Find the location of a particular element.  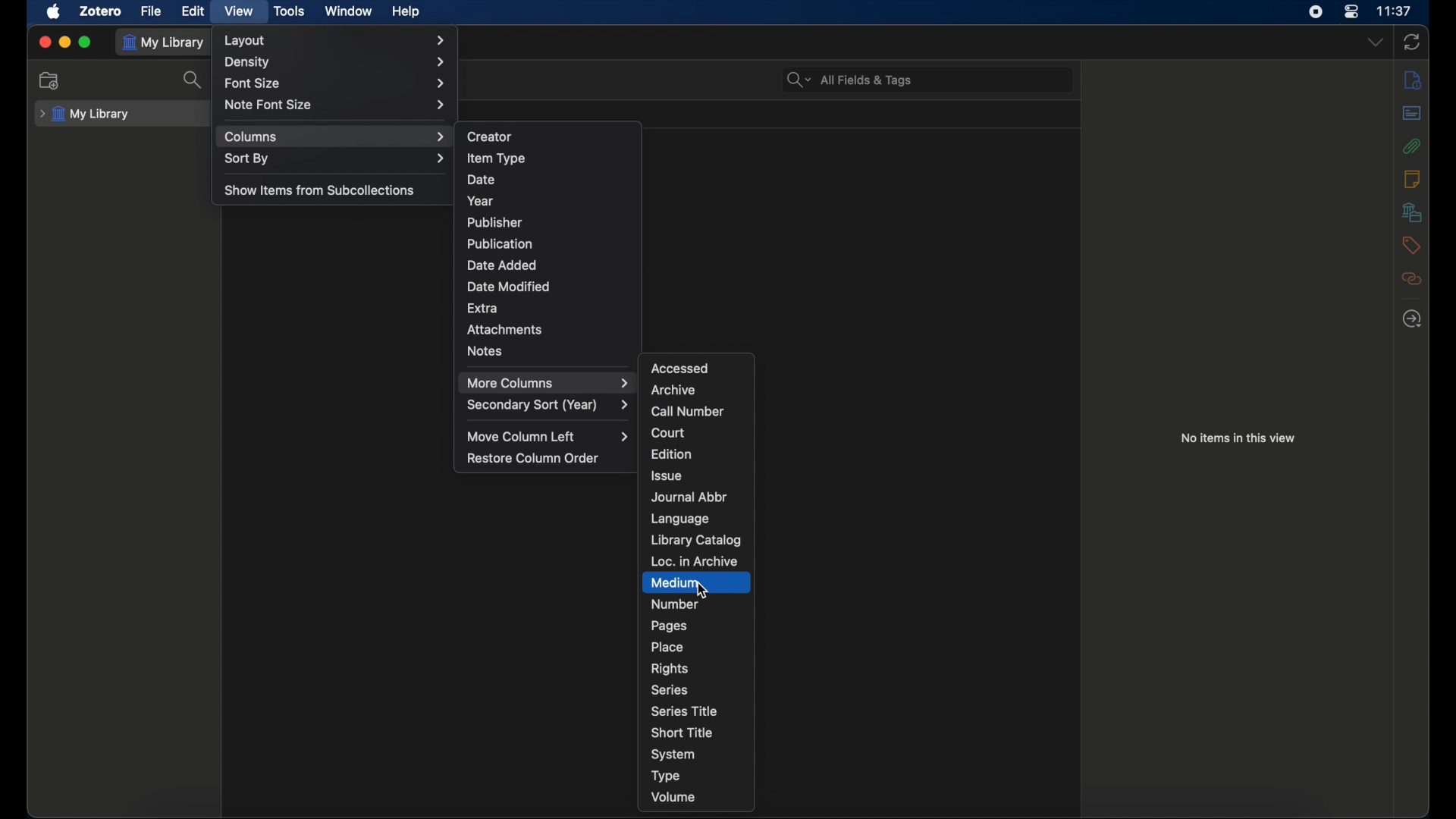

creator is located at coordinates (491, 135).